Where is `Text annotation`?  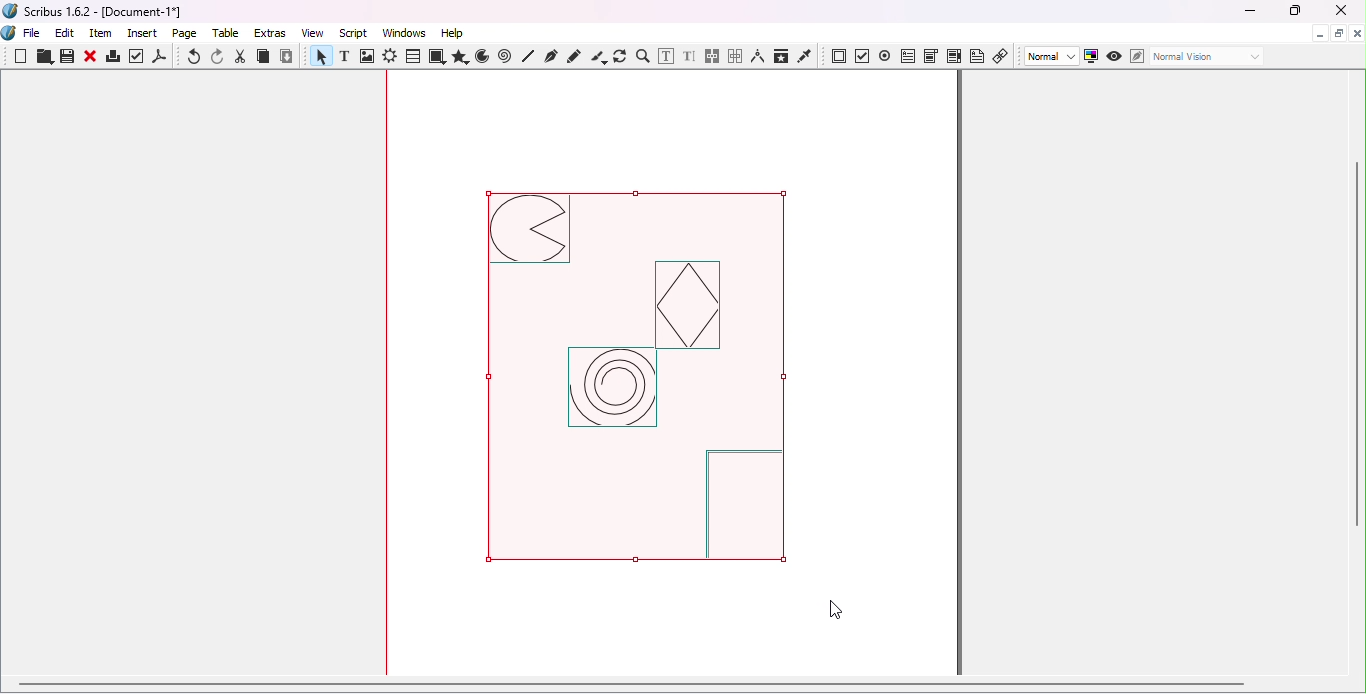 Text annotation is located at coordinates (977, 55).